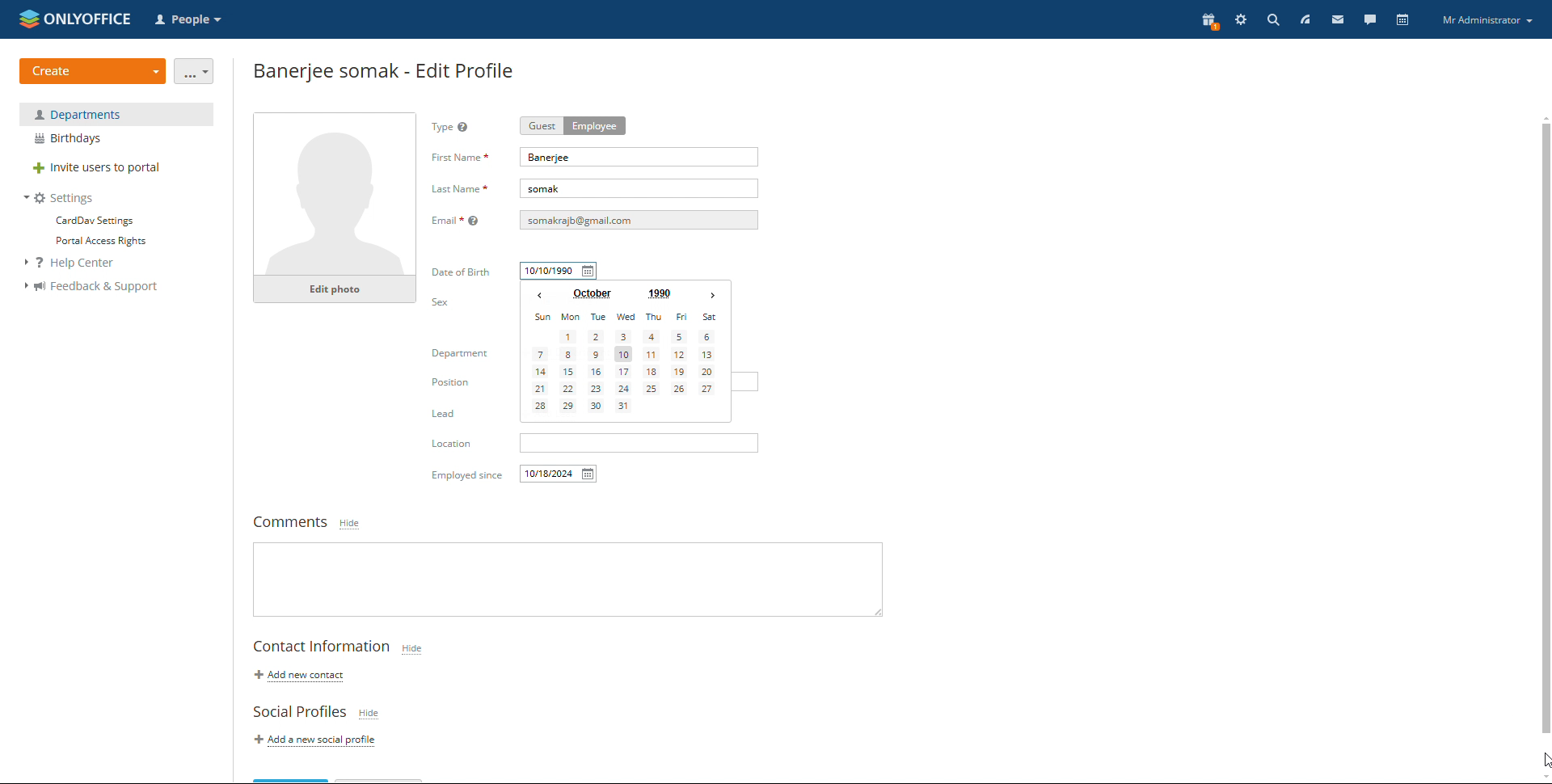  I want to click on last name, so click(639, 188).